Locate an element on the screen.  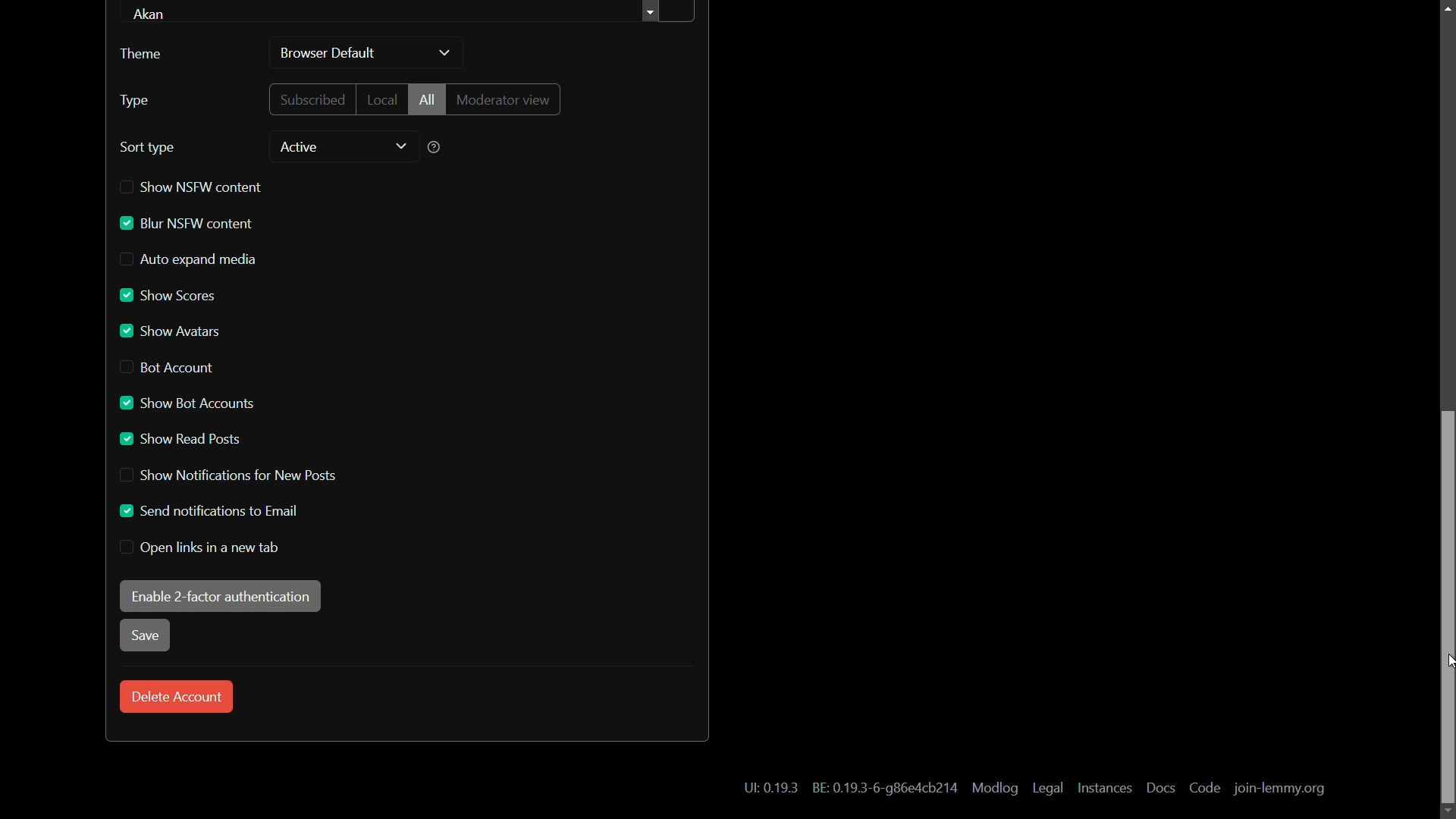
auto expand media is located at coordinates (190, 259).